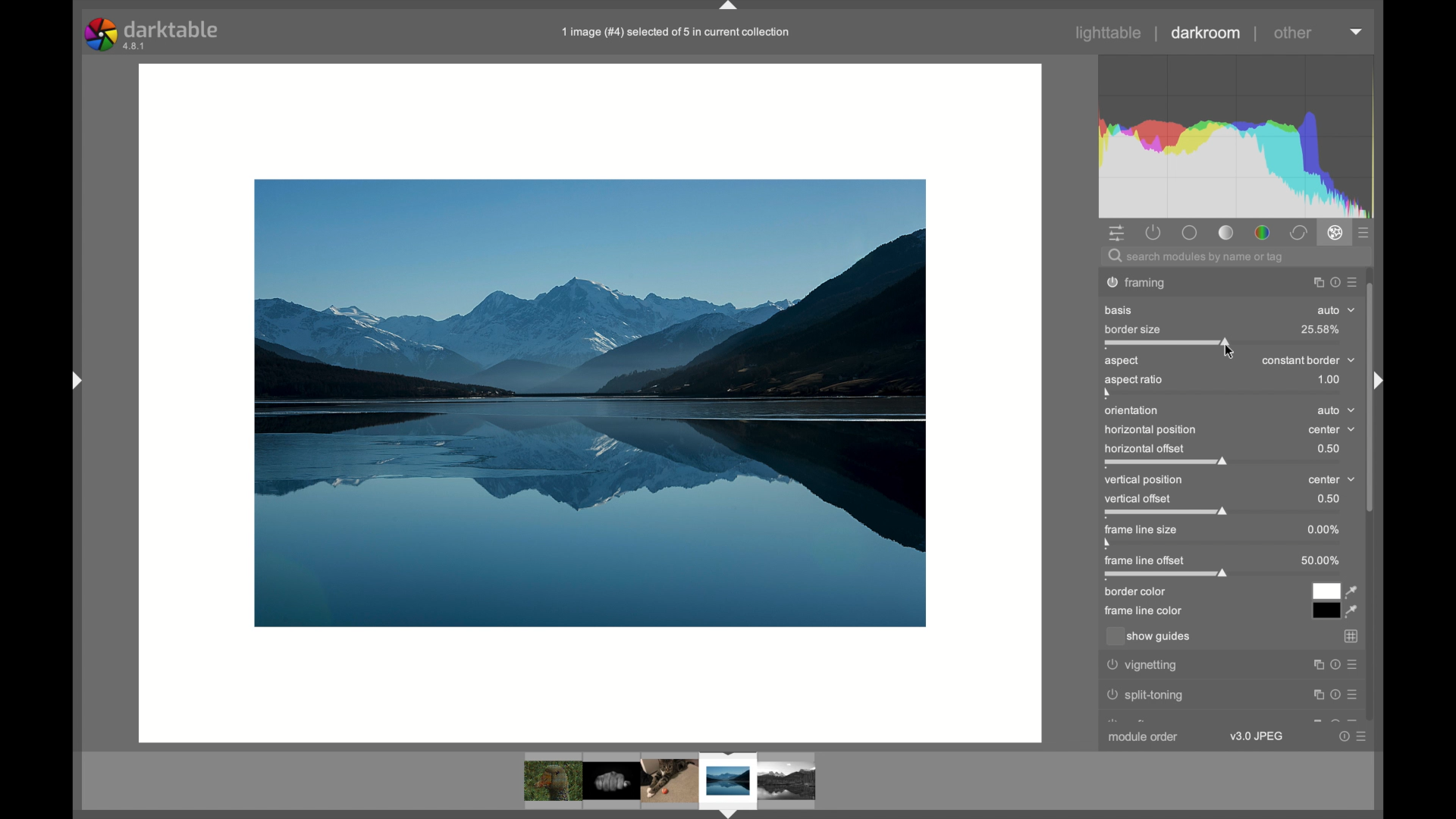  What do you see at coordinates (1333, 480) in the screenshot?
I see `center dropdown` at bounding box center [1333, 480].